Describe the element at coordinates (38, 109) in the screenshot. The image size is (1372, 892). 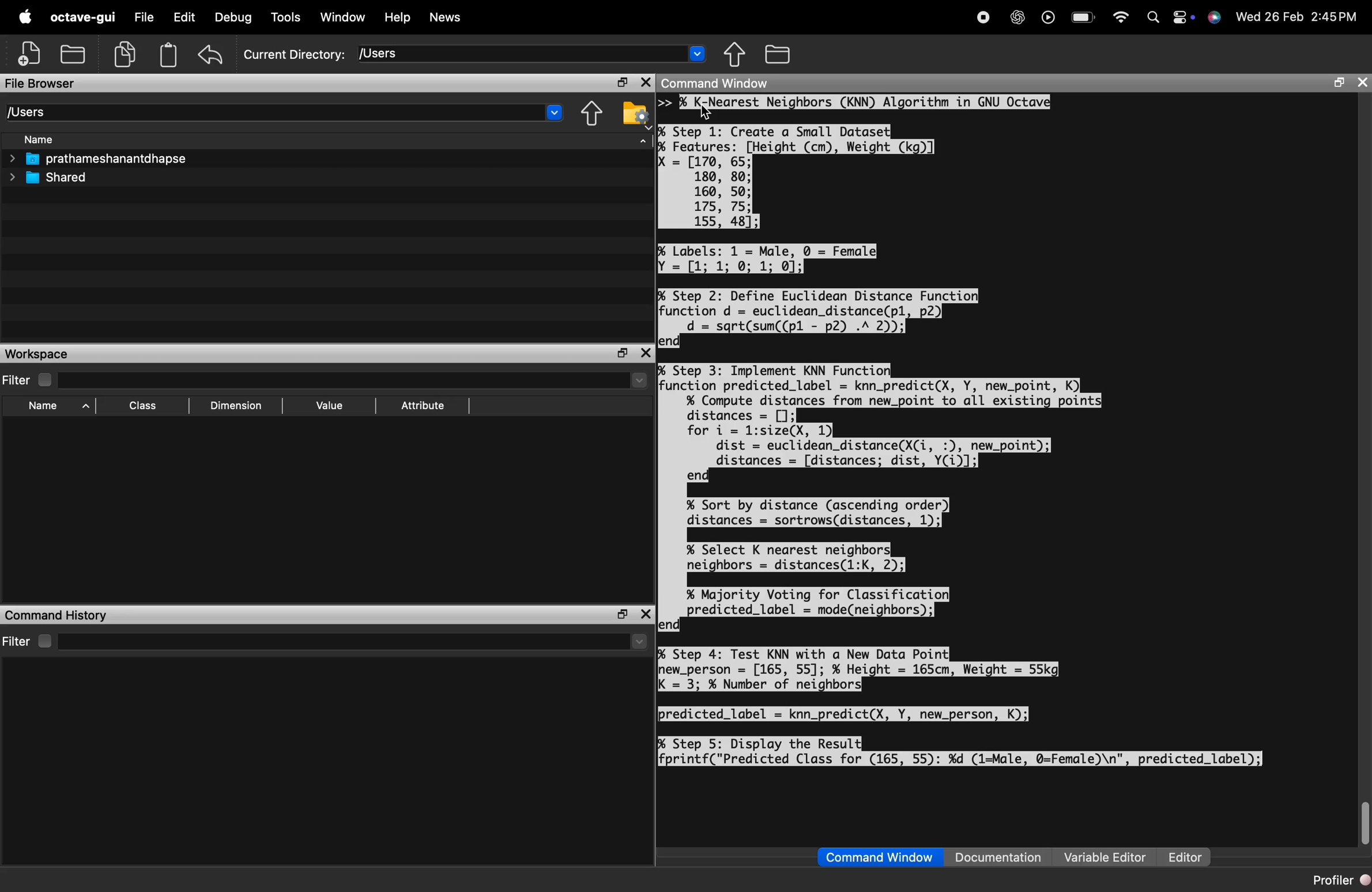
I see `Users` at that location.